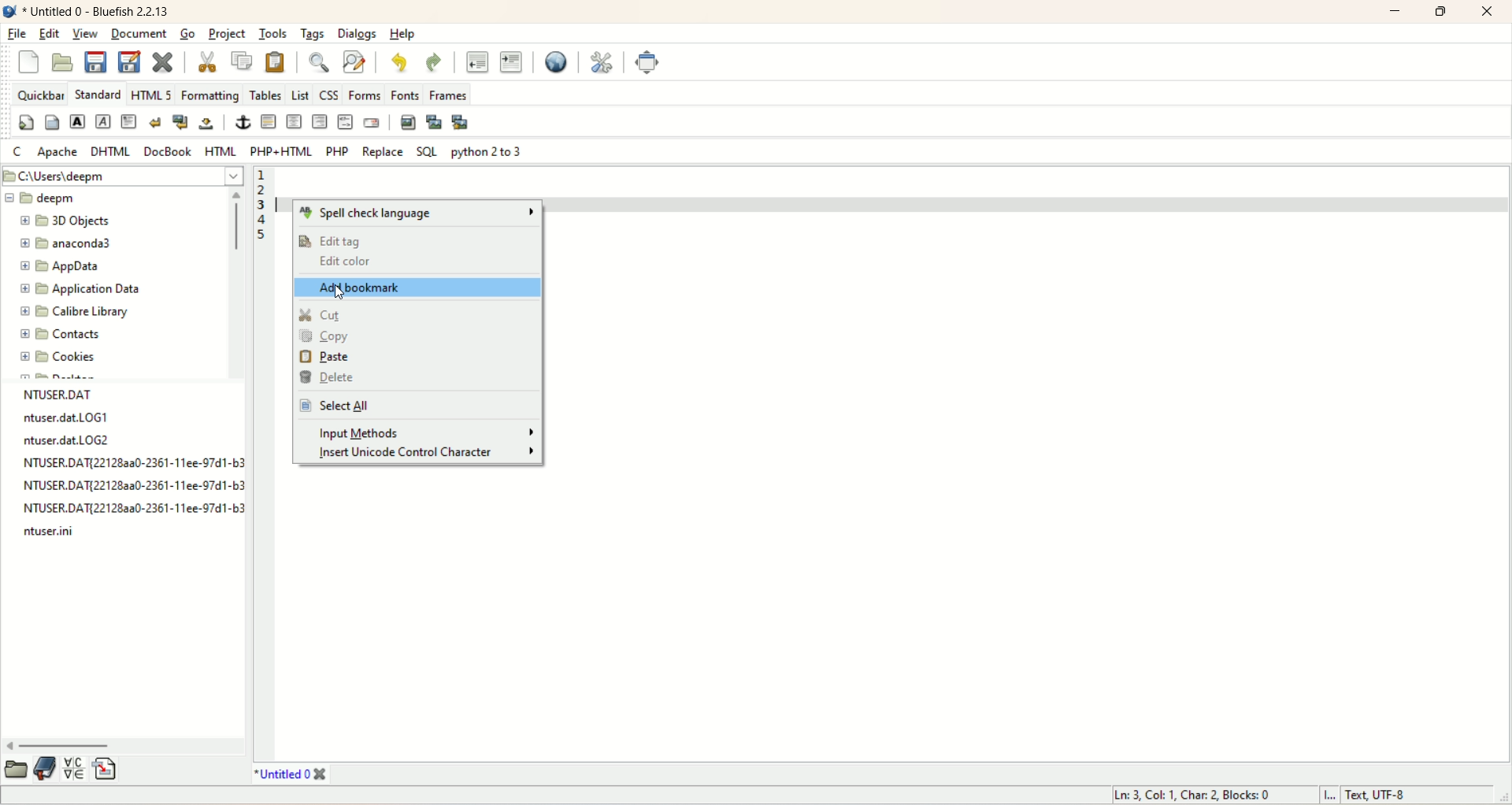 The height and width of the screenshot is (805, 1512). What do you see at coordinates (135, 487) in the screenshot?
I see `file name` at bounding box center [135, 487].